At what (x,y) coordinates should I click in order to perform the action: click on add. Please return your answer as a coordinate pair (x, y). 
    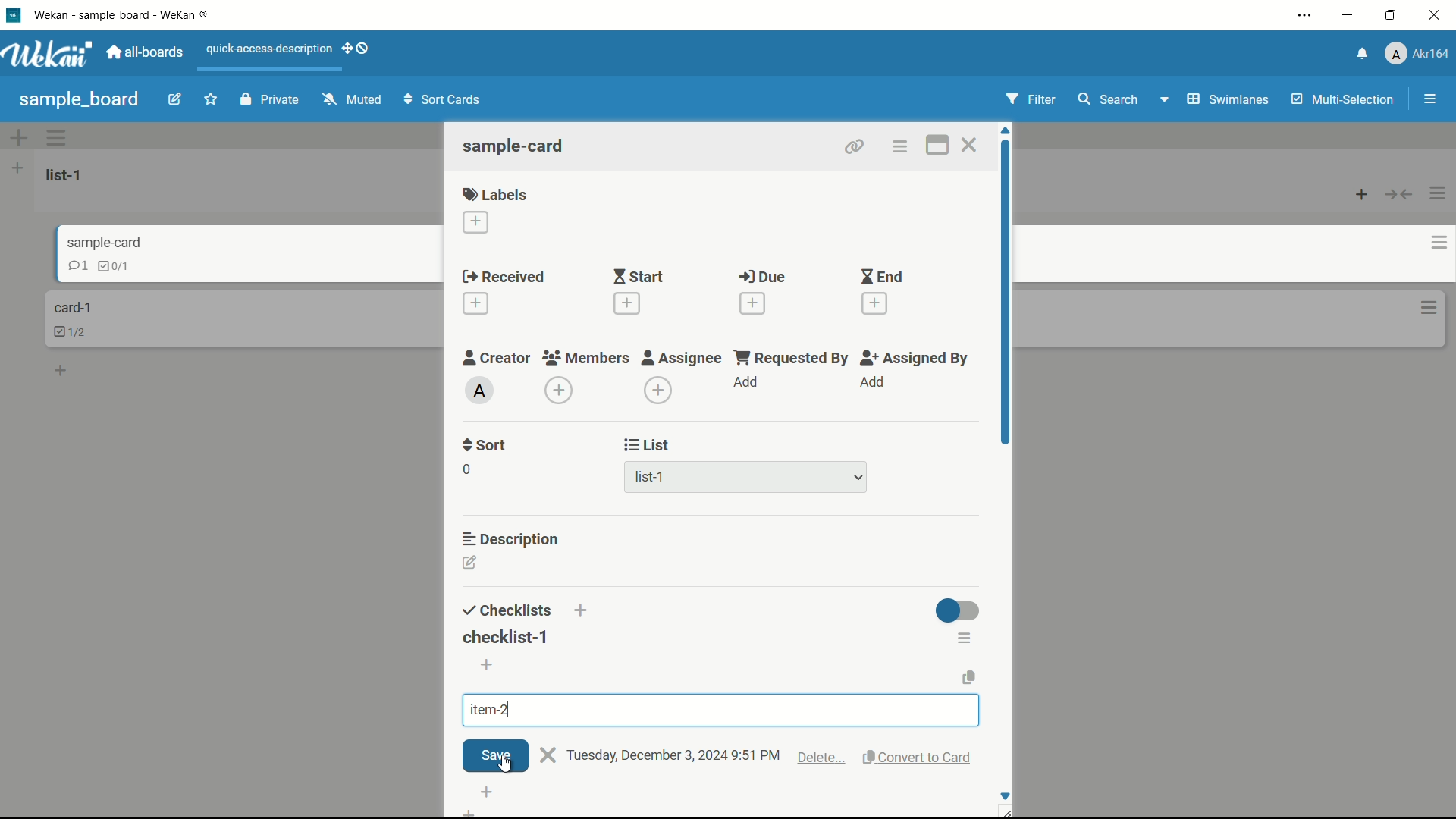
    Looking at the image, I should click on (486, 792).